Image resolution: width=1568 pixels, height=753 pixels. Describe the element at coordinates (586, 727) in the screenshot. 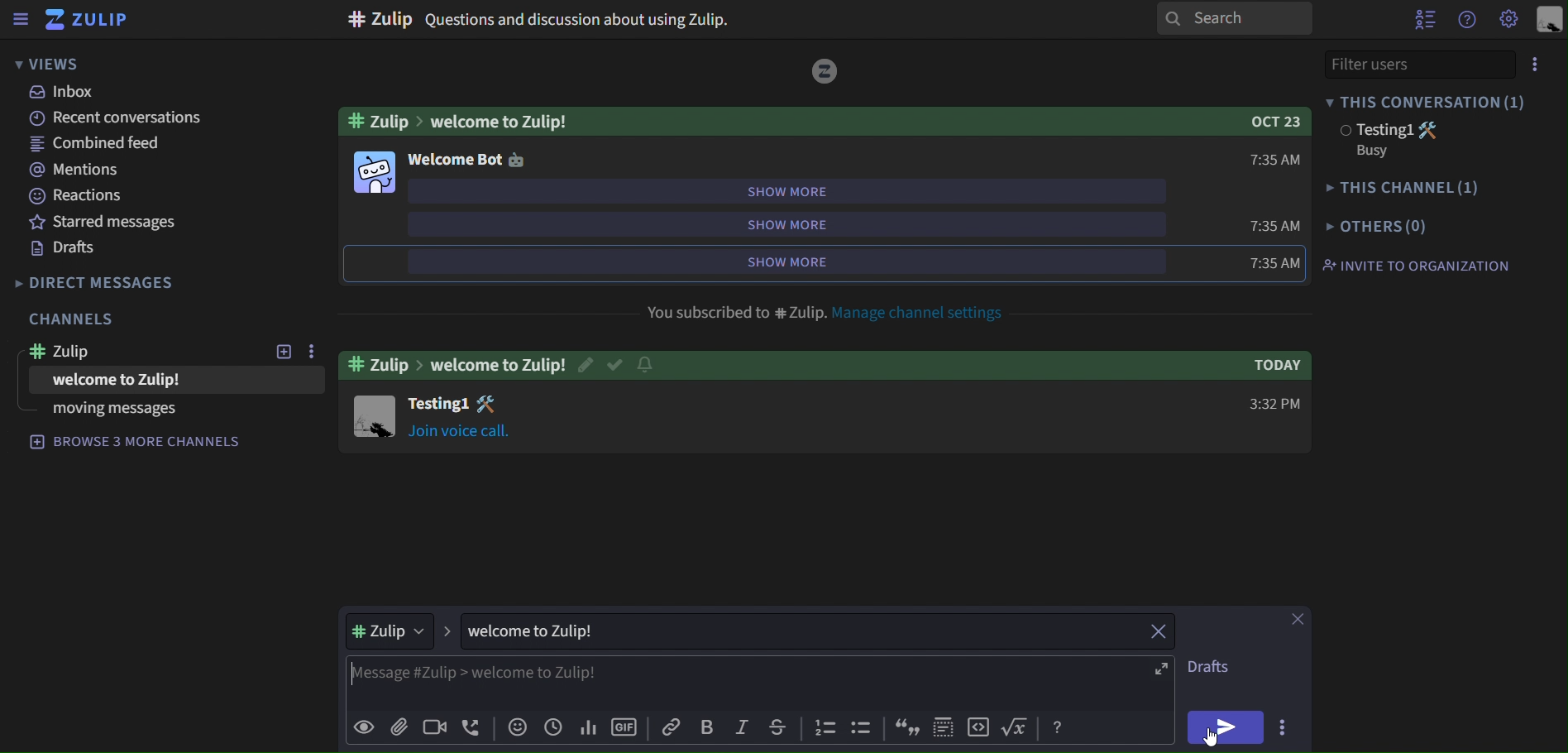

I see `add poll` at that location.